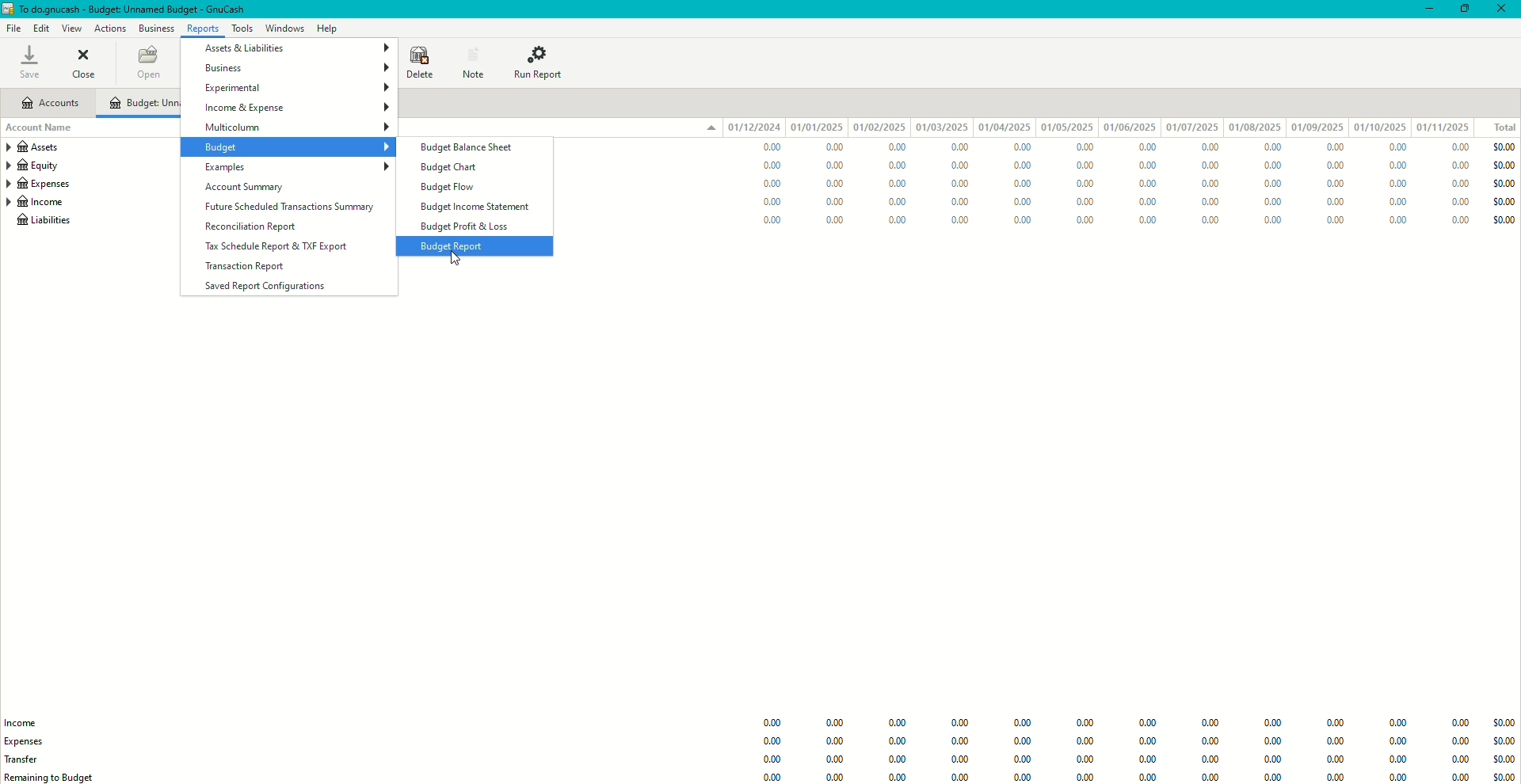 Image resolution: width=1521 pixels, height=784 pixels. Describe the element at coordinates (251, 186) in the screenshot. I see `Account Summary` at that location.